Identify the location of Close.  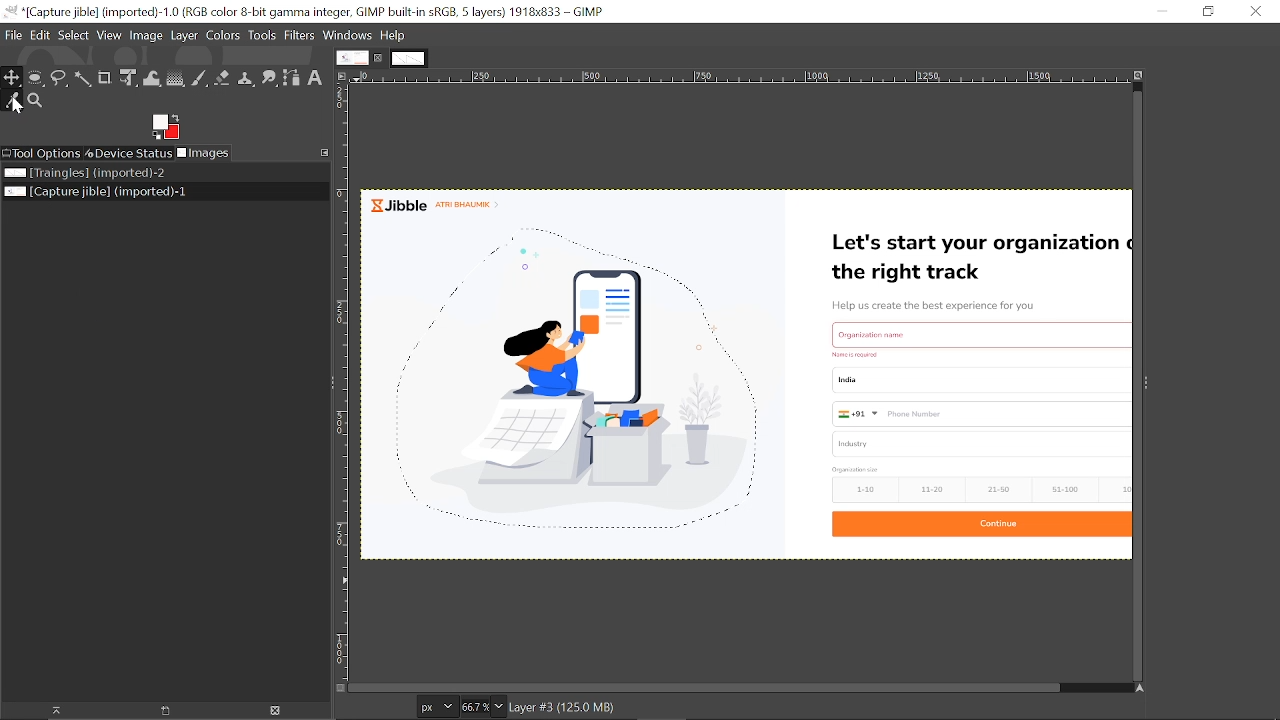
(1256, 12).